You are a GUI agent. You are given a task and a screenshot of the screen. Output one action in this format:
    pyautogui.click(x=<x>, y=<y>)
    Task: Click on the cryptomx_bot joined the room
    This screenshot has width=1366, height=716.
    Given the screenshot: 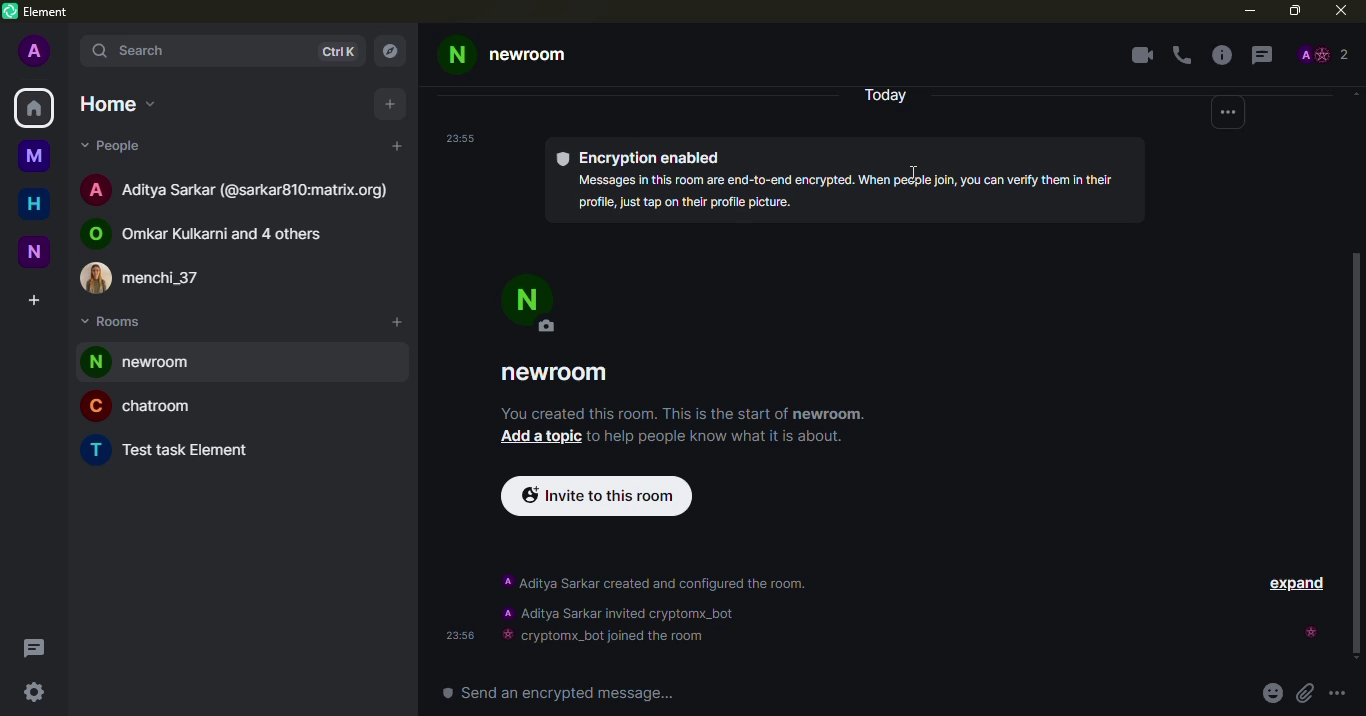 What is the action you would take?
    pyautogui.click(x=603, y=637)
    